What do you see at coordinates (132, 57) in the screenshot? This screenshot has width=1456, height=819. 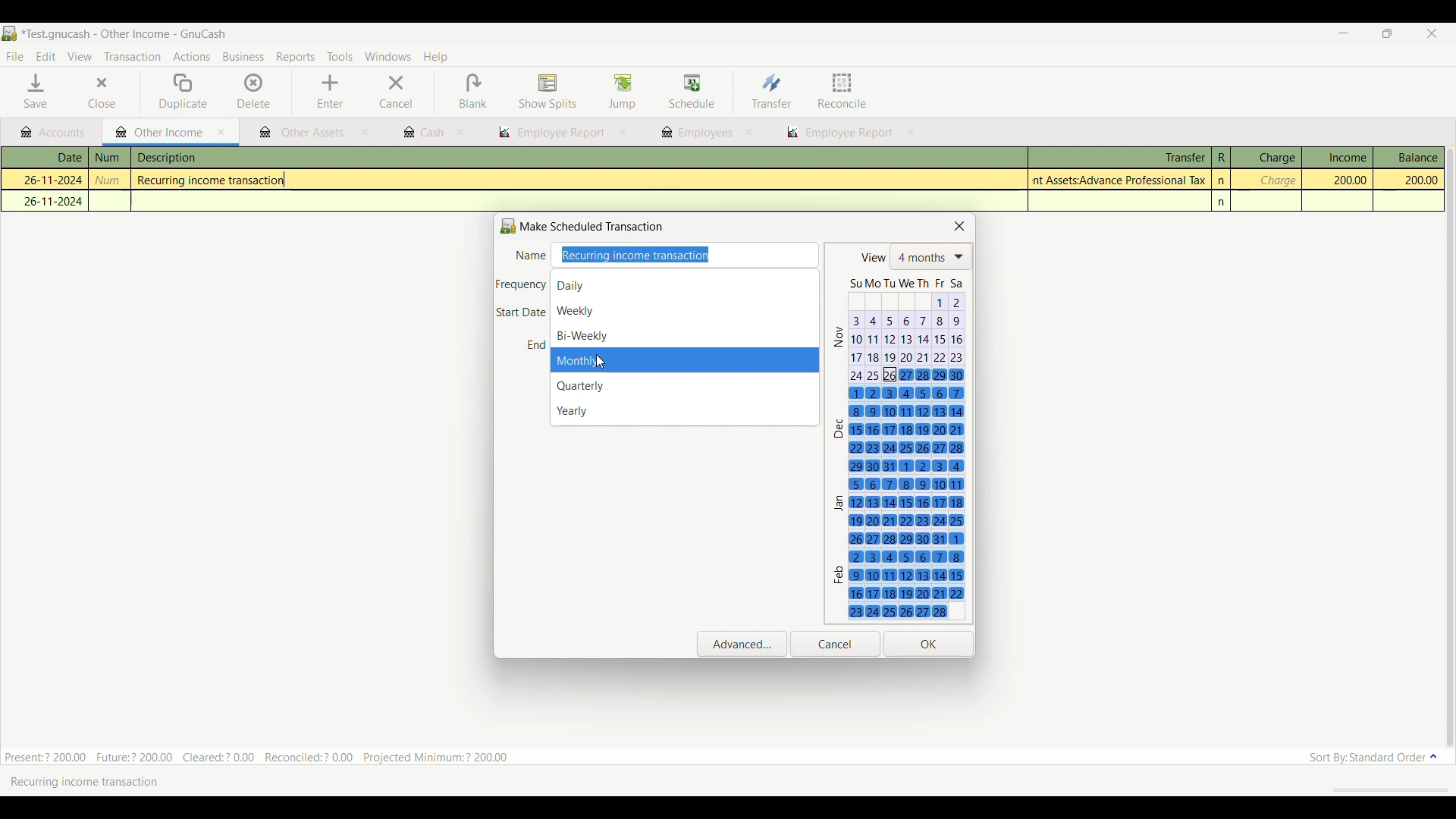 I see `Transaction menu` at bounding box center [132, 57].